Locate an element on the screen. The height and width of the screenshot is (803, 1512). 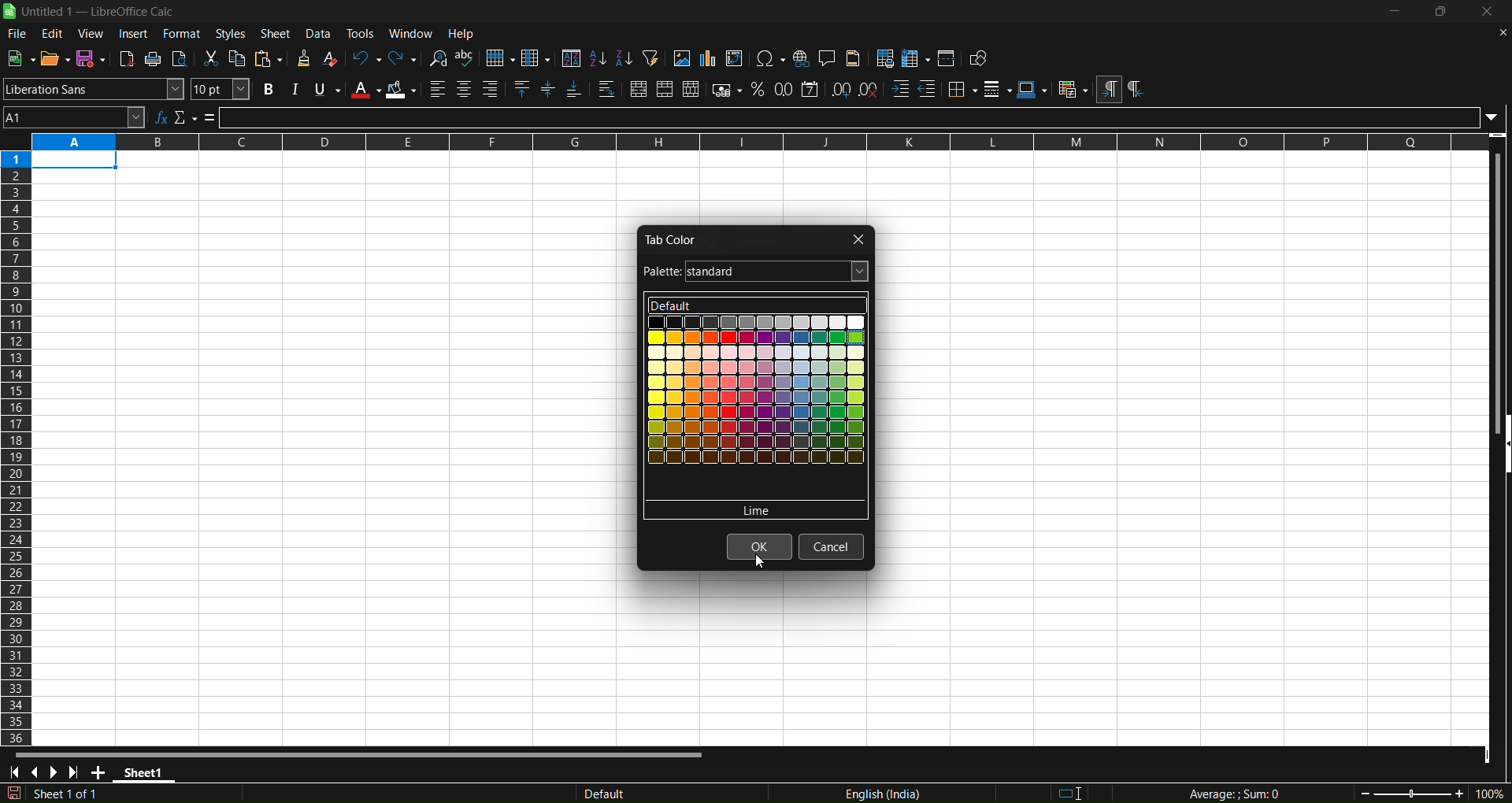
text language is located at coordinates (806, 793).